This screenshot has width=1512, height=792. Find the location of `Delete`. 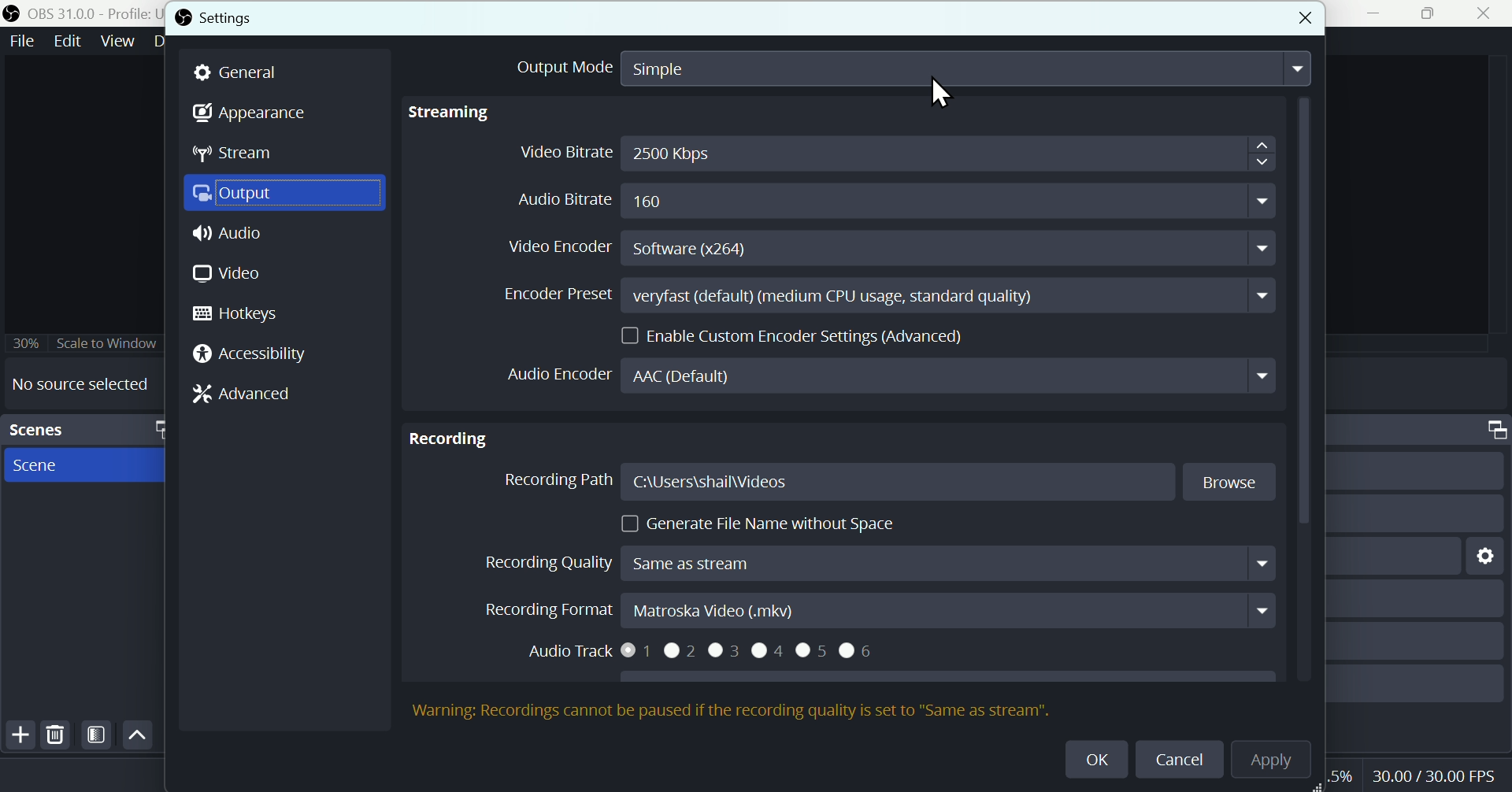

Delete is located at coordinates (57, 734).